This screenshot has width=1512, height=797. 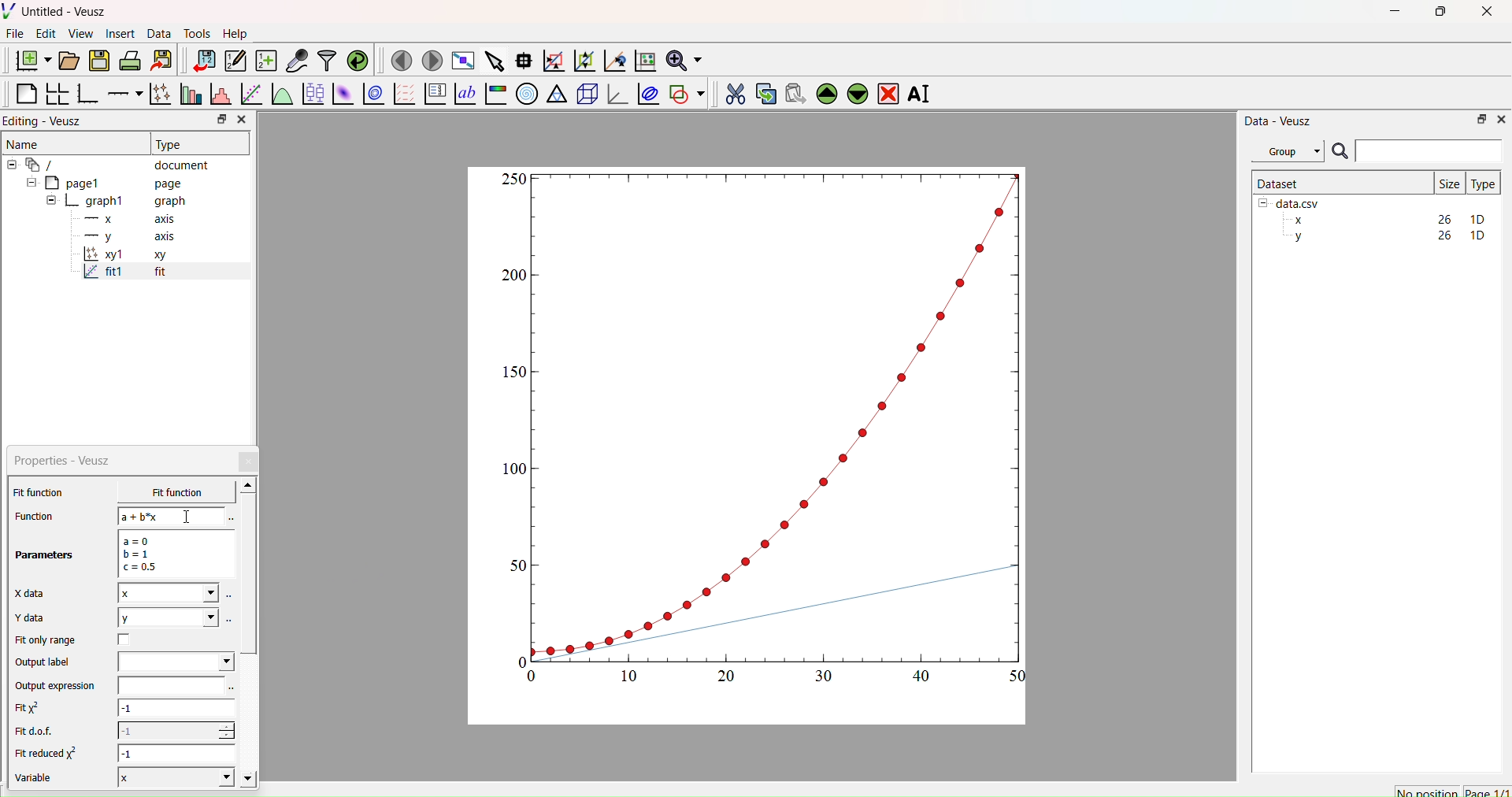 What do you see at coordinates (464, 94) in the screenshot?
I see `Text label` at bounding box center [464, 94].